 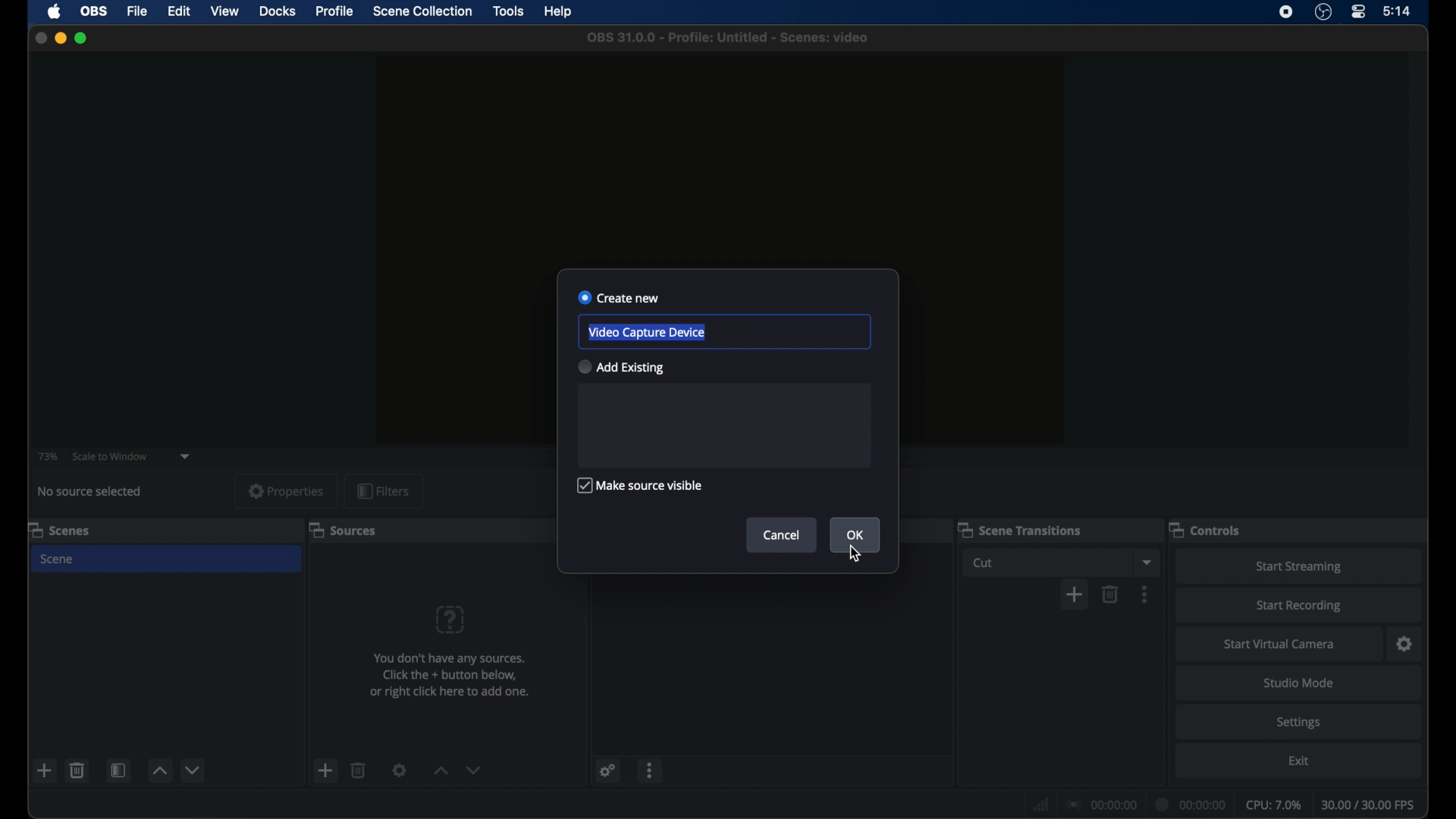 I want to click on start streaming, so click(x=1300, y=567).